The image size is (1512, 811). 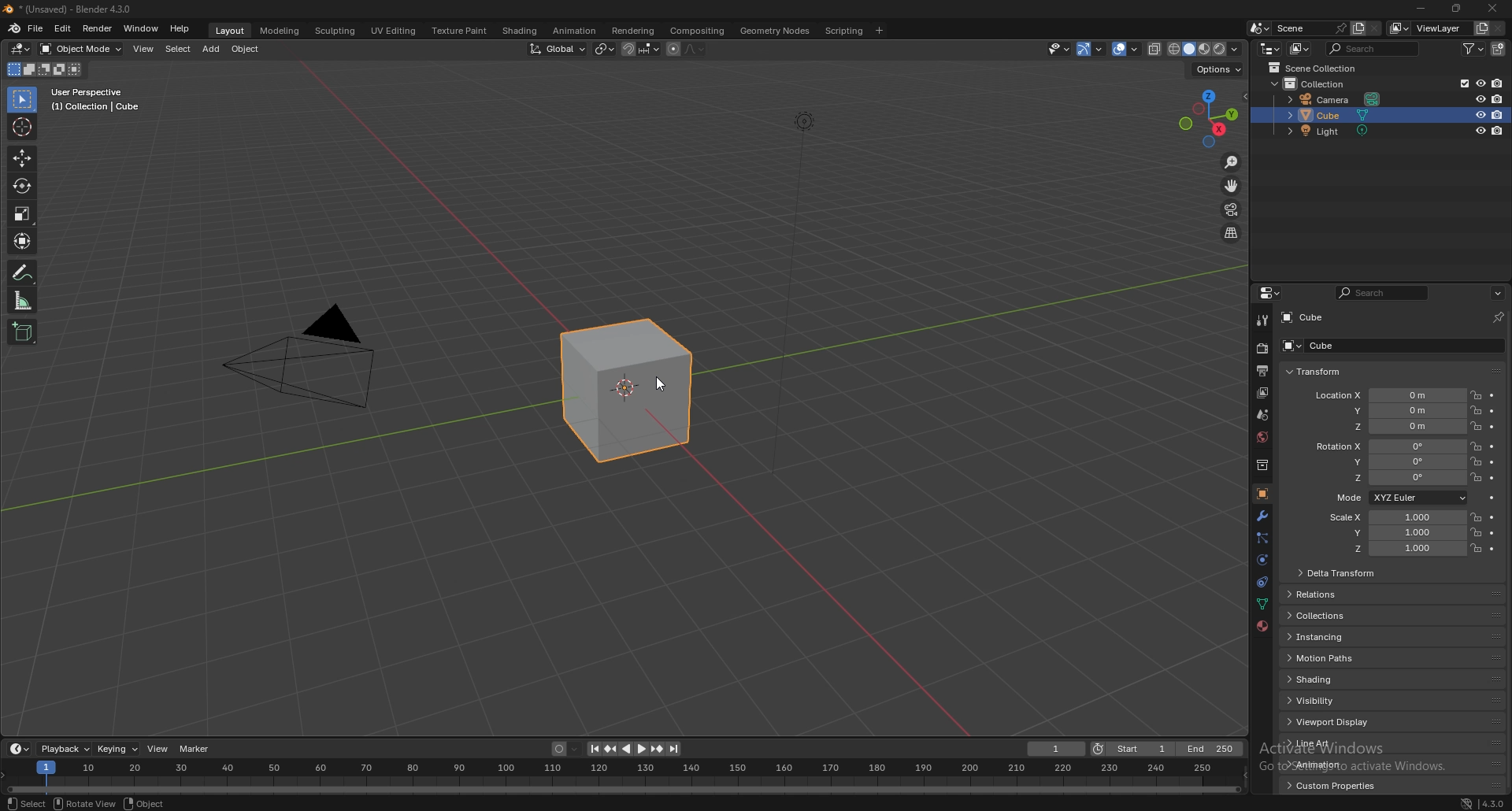 What do you see at coordinates (25, 803) in the screenshot?
I see `select` at bounding box center [25, 803].